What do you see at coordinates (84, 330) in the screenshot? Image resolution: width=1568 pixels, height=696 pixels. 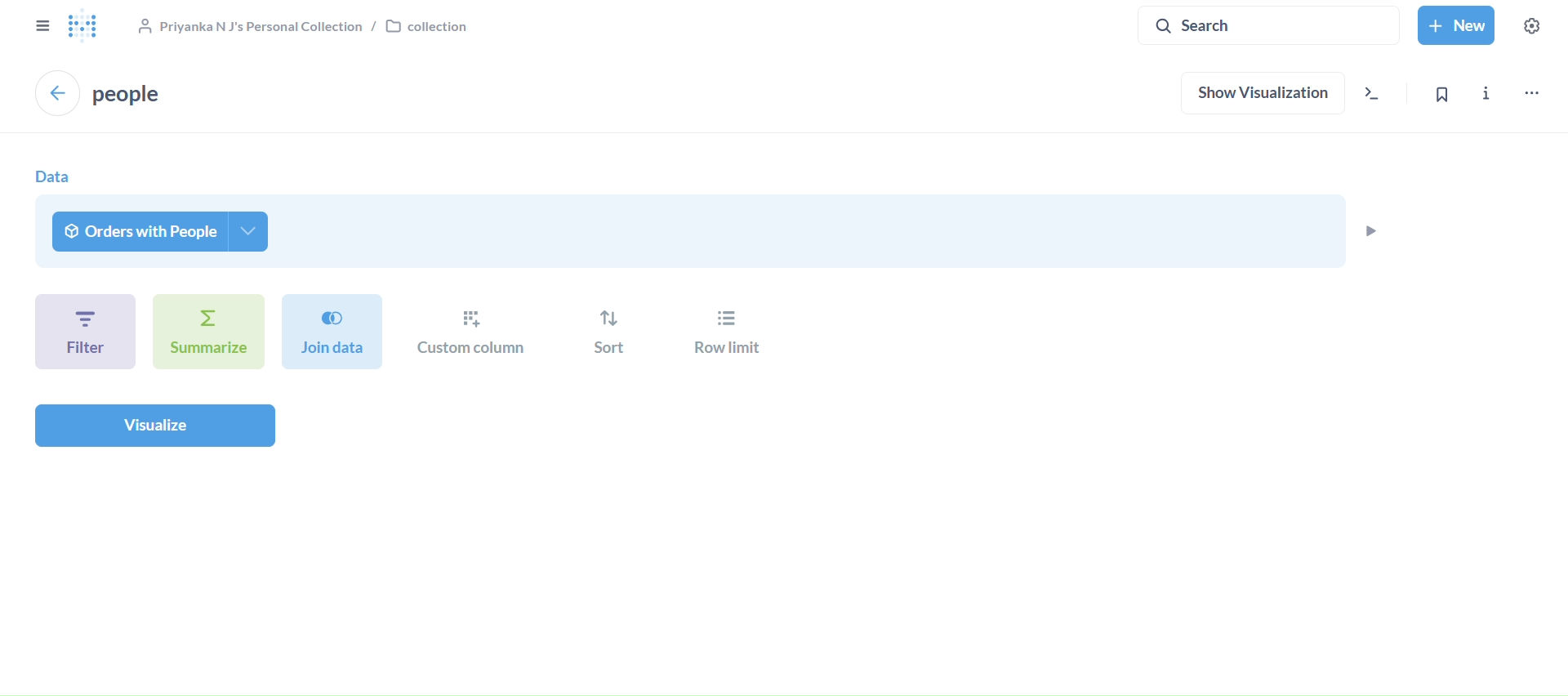 I see `filter` at bounding box center [84, 330].